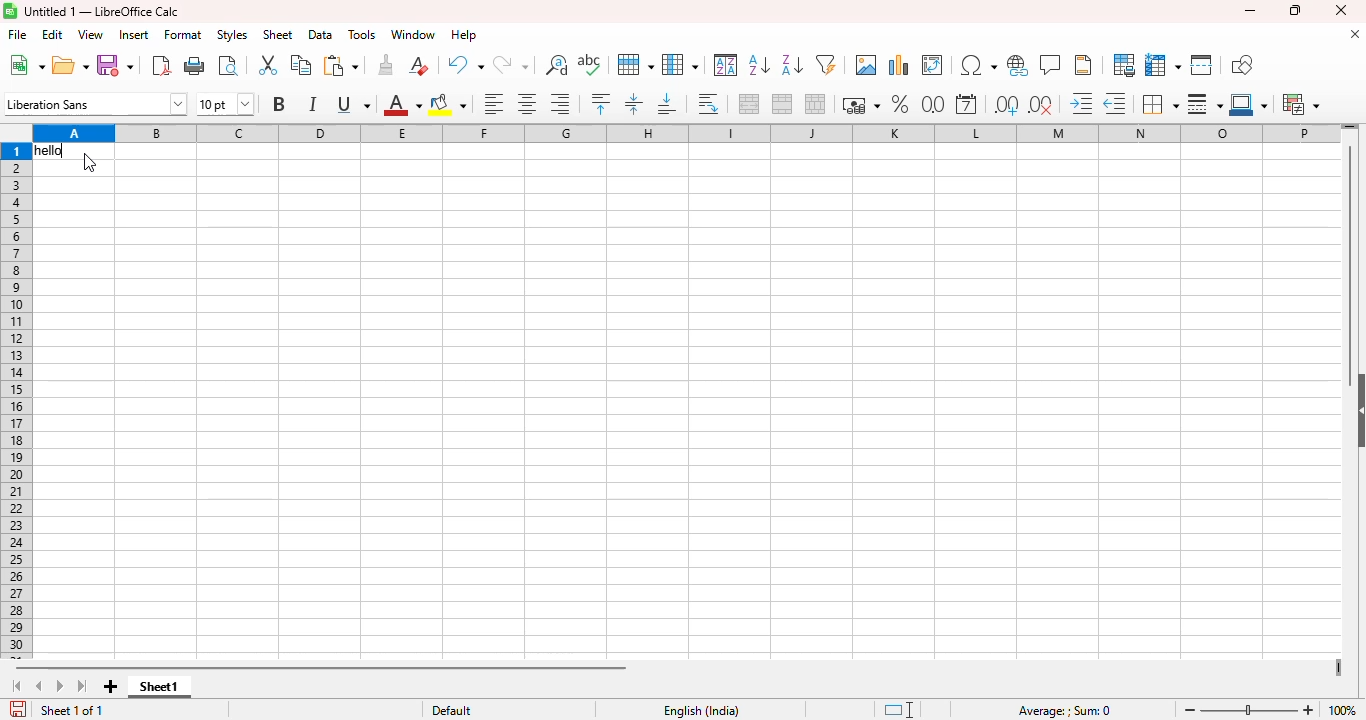 Image resolution: width=1366 pixels, height=720 pixels. What do you see at coordinates (1065, 711) in the screenshot?
I see `formula` at bounding box center [1065, 711].